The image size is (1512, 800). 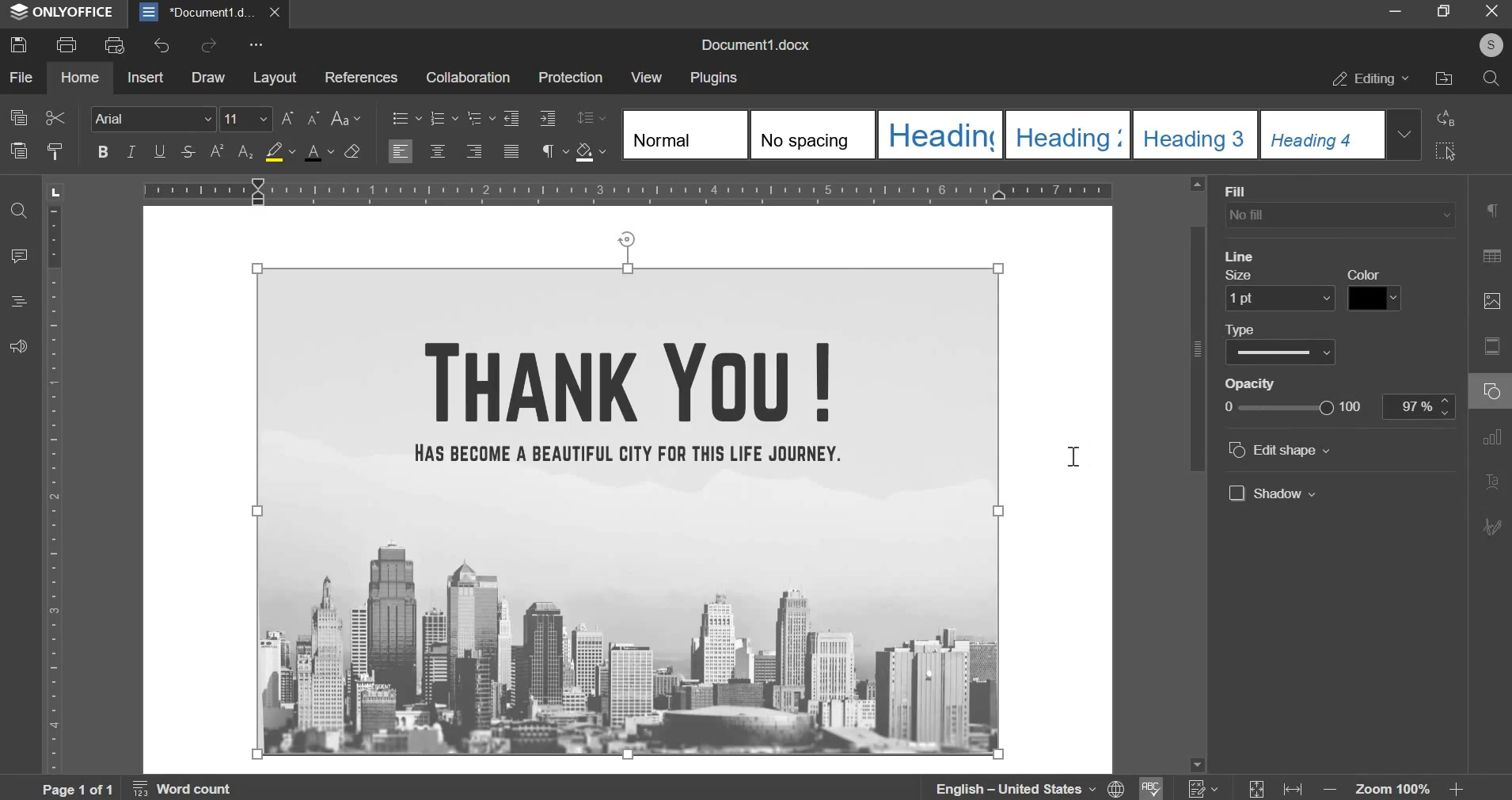 What do you see at coordinates (939, 135) in the screenshot?
I see `Heading 1` at bounding box center [939, 135].